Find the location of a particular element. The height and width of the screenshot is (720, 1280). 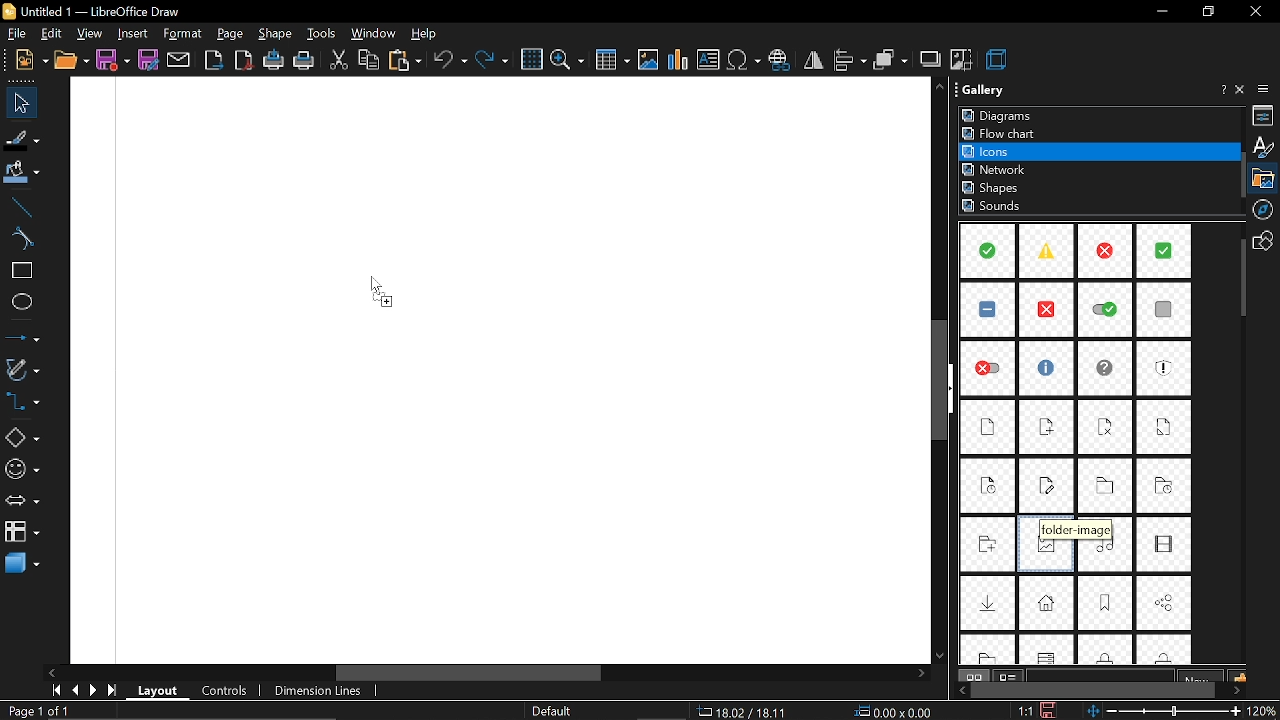

Canvas is located at coordinates (495, 372).